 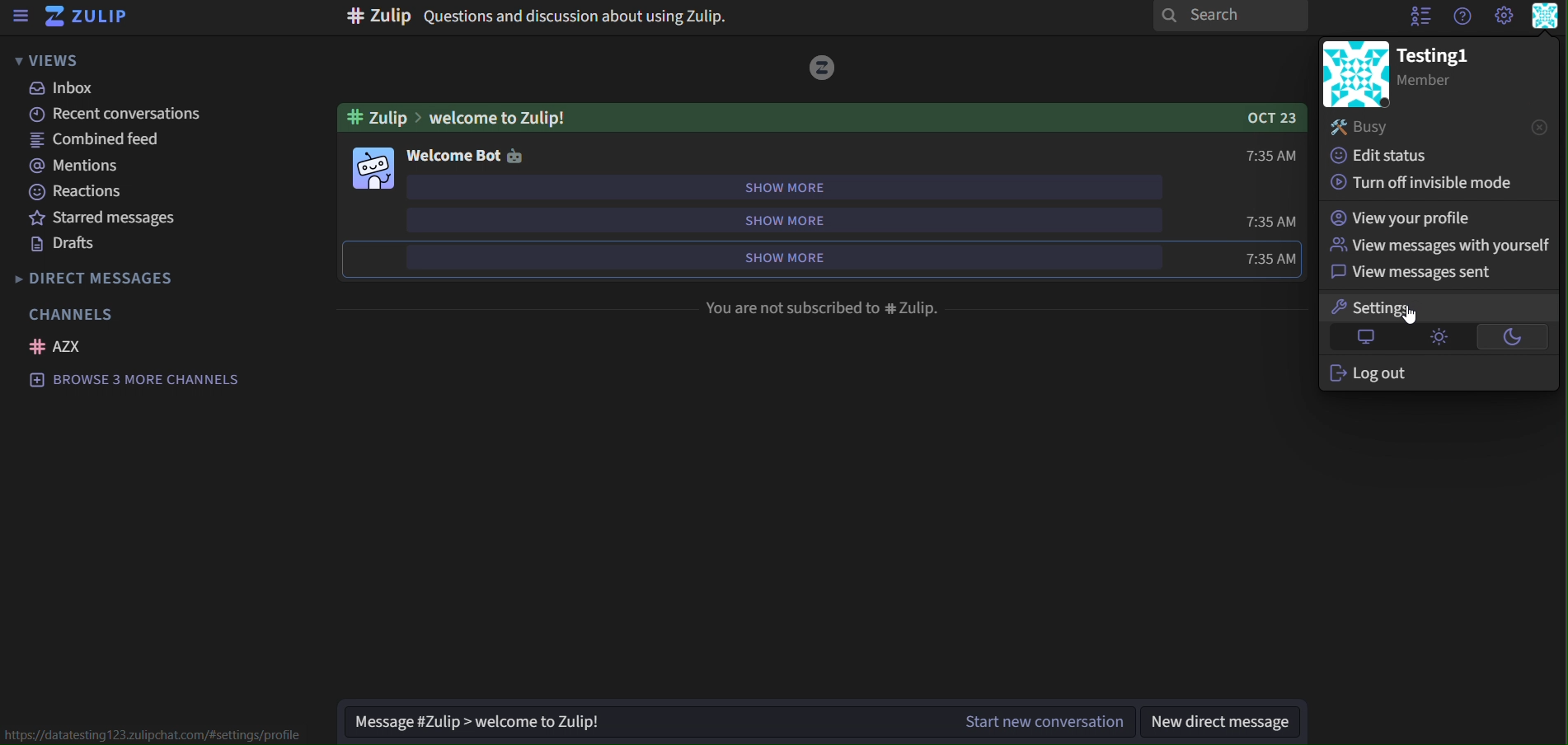 I want to click on log out, so click(x=1379, y=371).